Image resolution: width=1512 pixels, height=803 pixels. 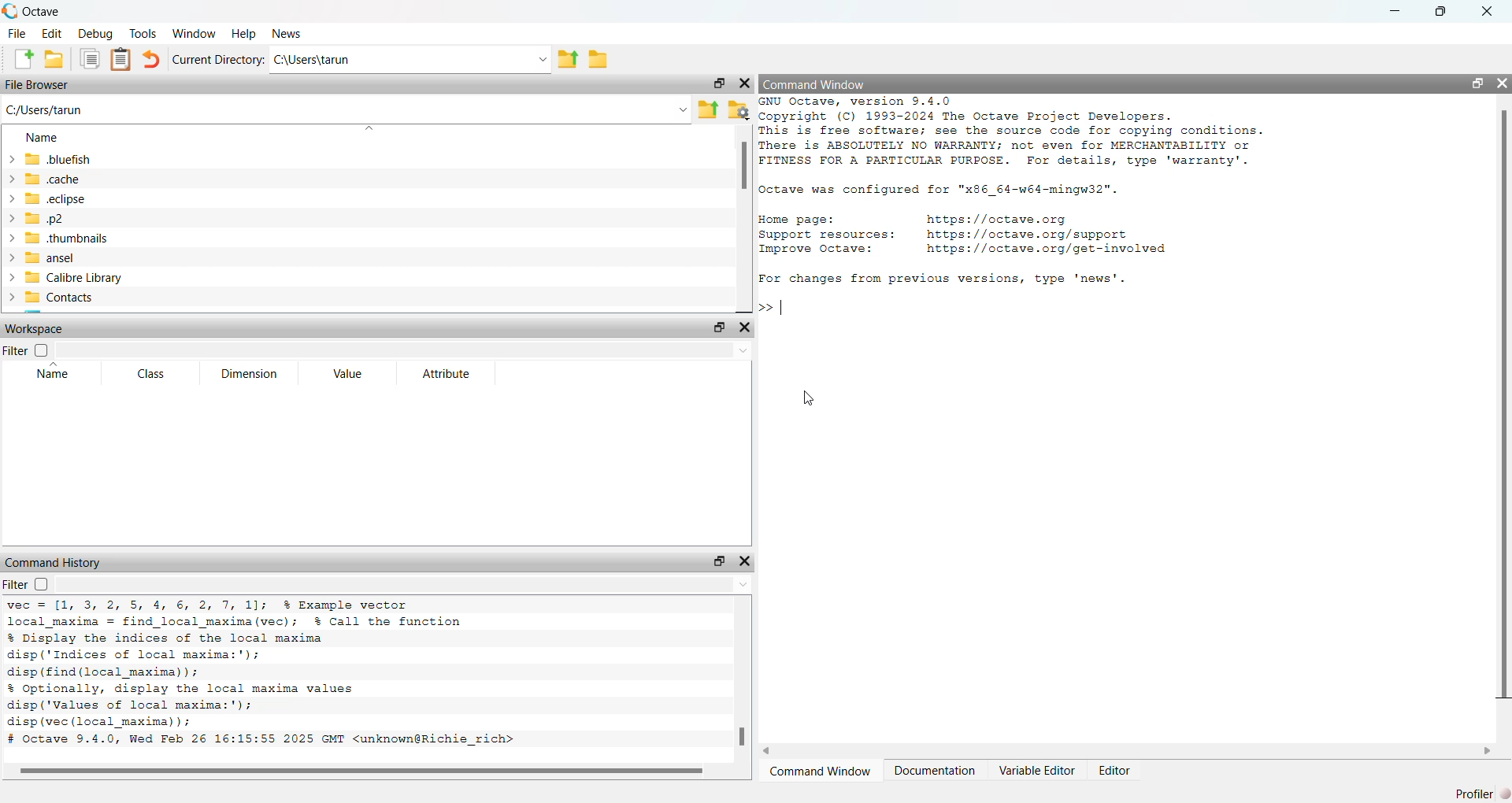 What do you see at coordinates (772, 305) in the screenshot?
I see `new line` at bounding box center [772, 305].